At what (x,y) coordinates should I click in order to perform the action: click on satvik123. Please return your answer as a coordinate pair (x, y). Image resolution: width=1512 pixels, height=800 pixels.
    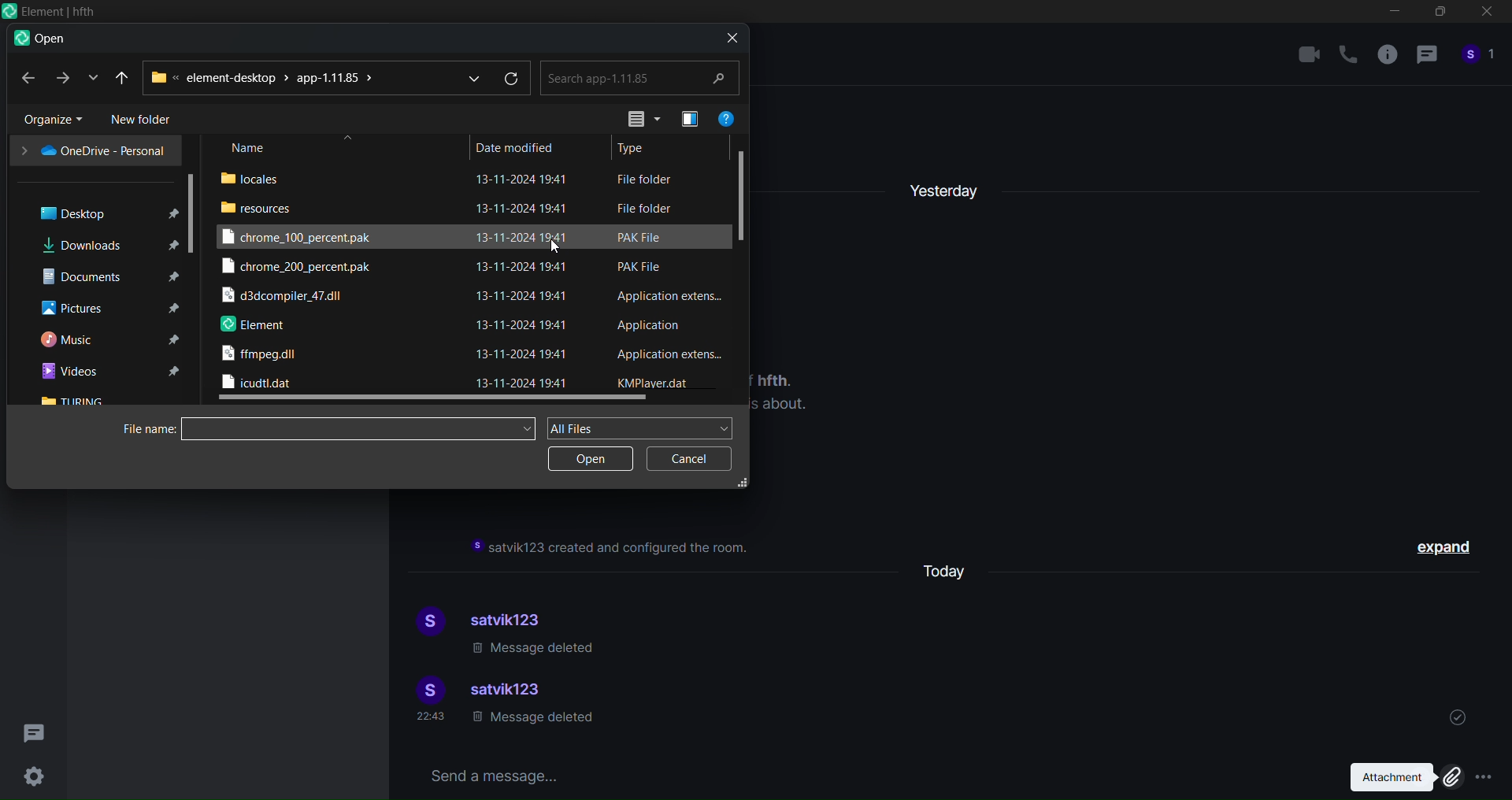
    Looking at the image, I should click on (514, 617).